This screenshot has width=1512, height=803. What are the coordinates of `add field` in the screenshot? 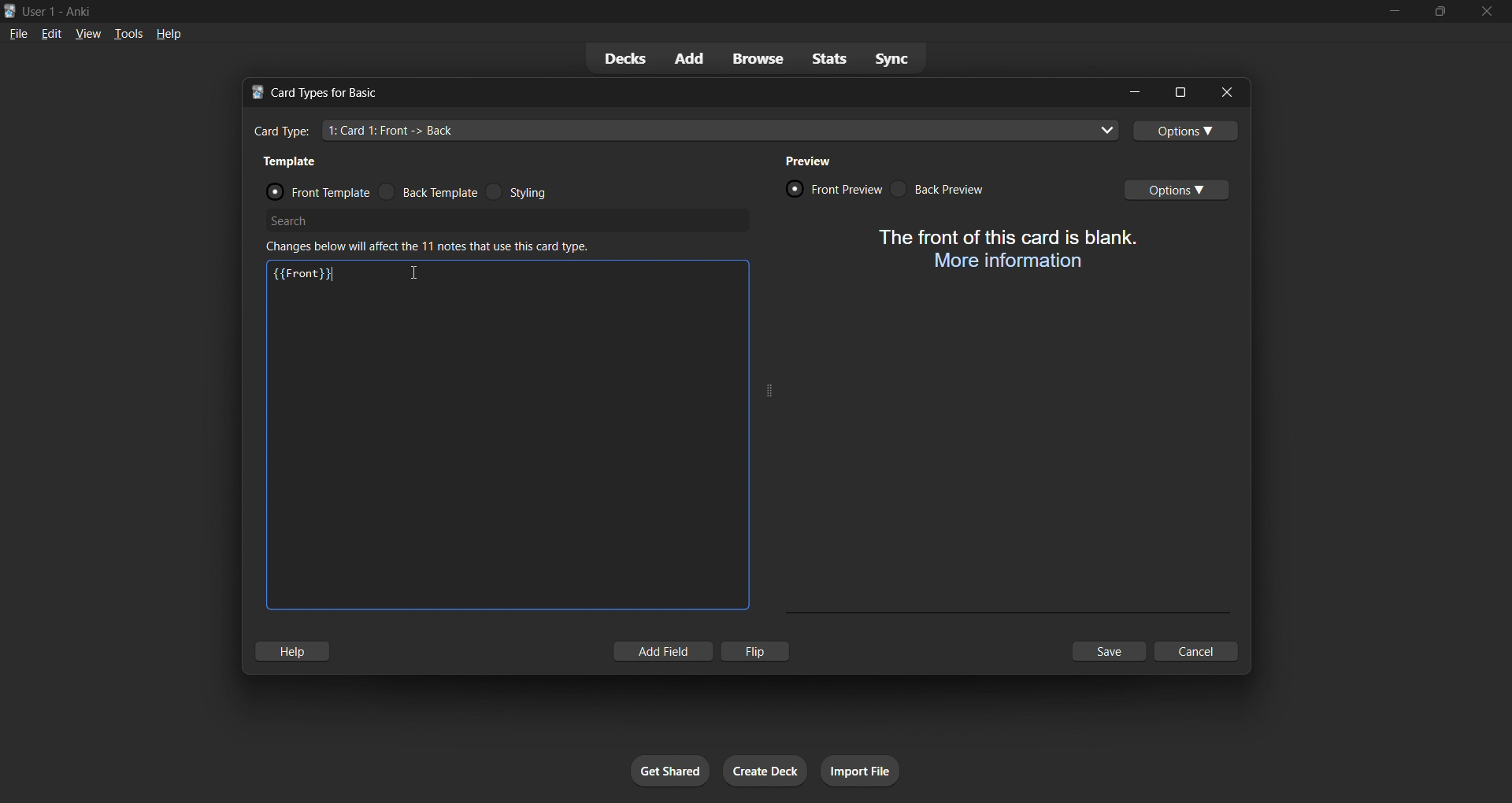 It's located at (661, 652).